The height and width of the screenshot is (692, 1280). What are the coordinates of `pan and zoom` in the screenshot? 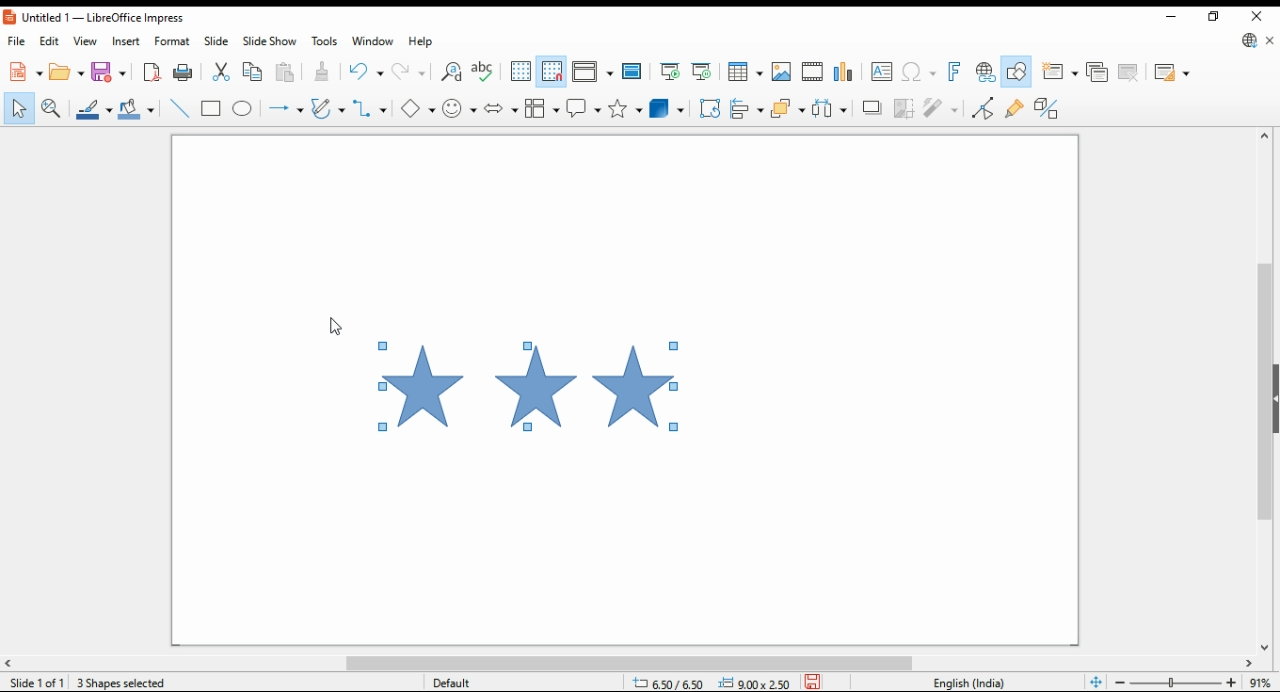 It's located at (52, 108).